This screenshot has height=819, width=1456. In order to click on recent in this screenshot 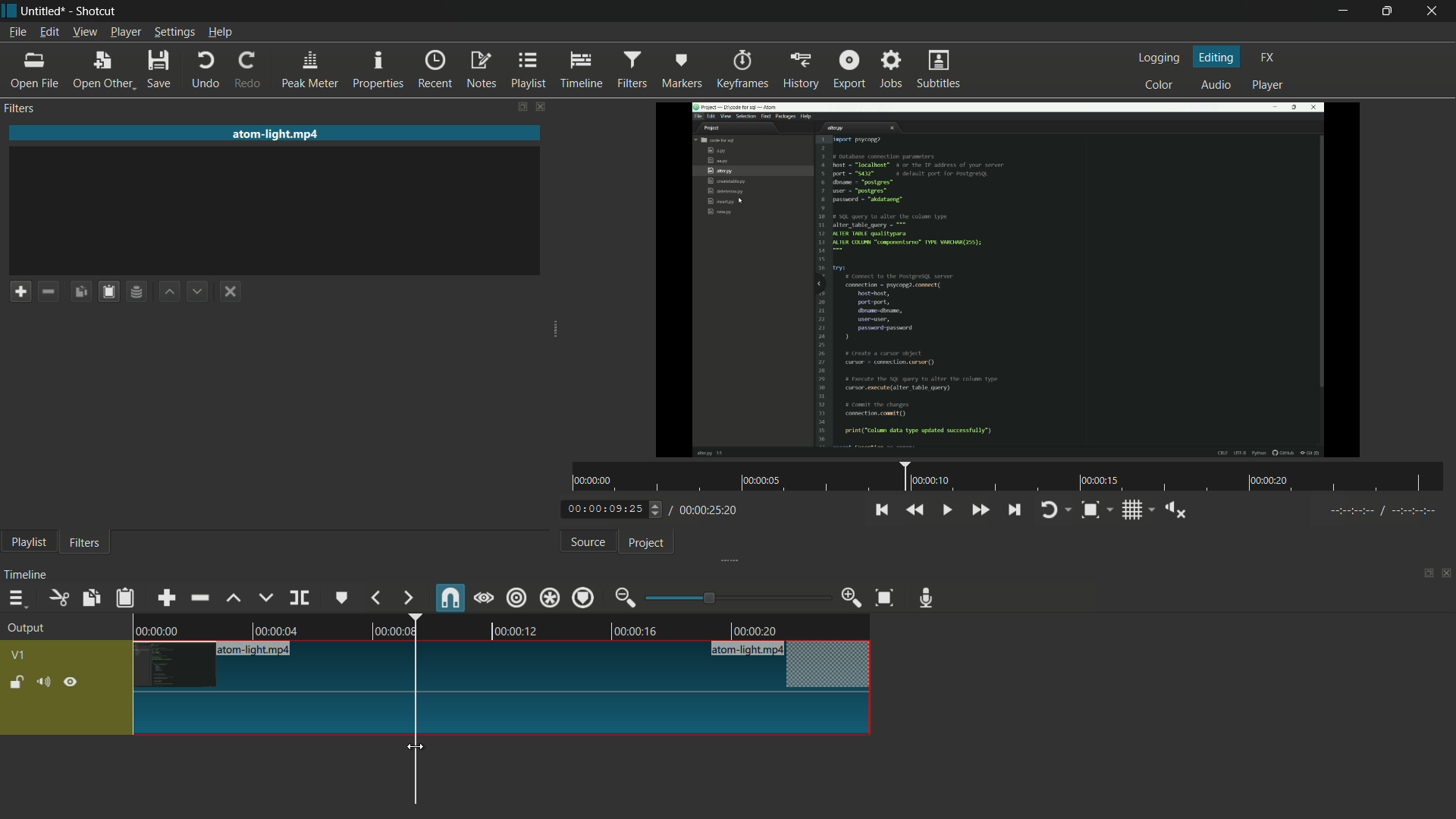, I will do `click(438, 70)`.